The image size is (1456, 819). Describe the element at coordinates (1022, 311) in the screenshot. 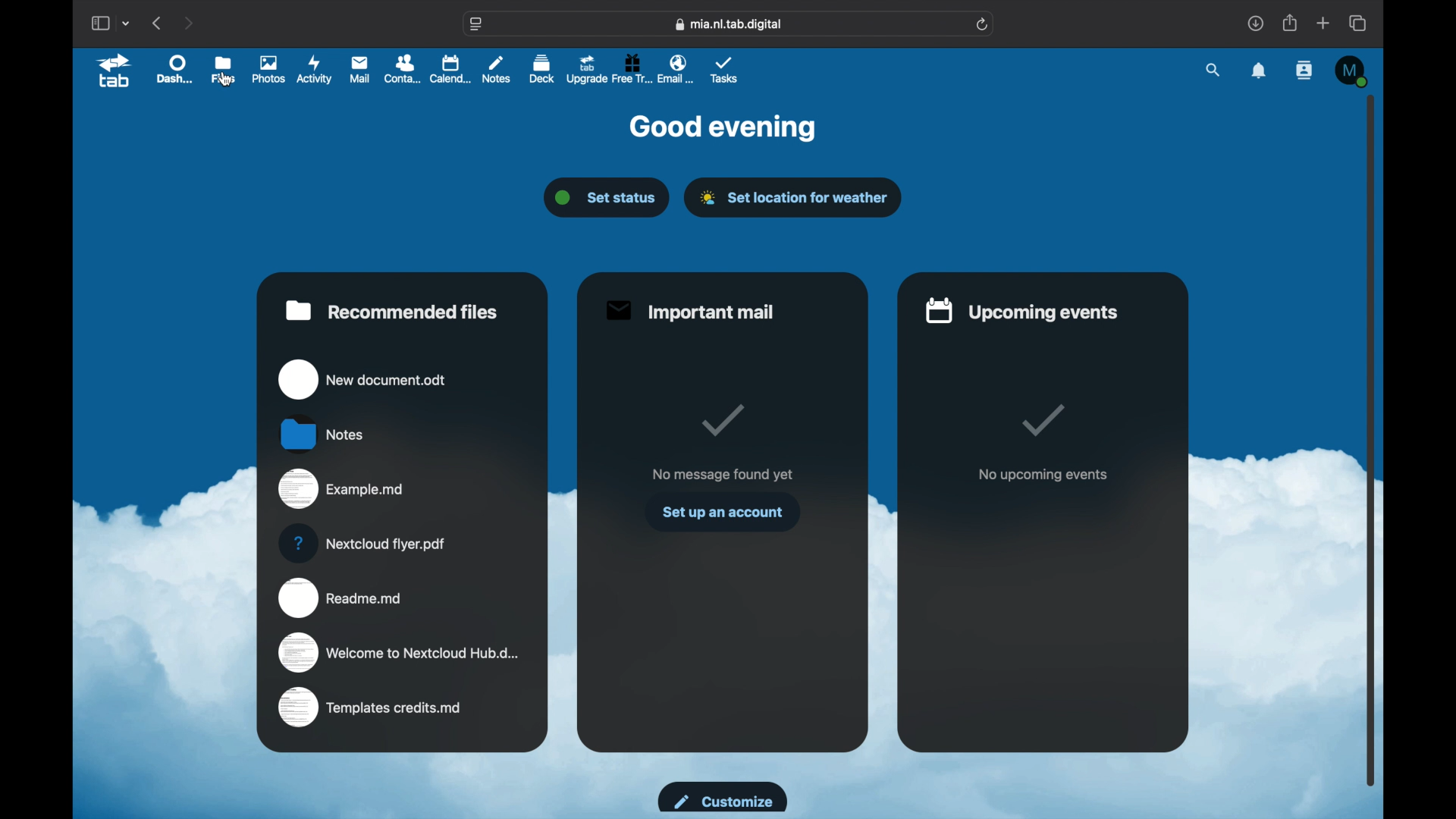

I see `upcoming events` at that location.